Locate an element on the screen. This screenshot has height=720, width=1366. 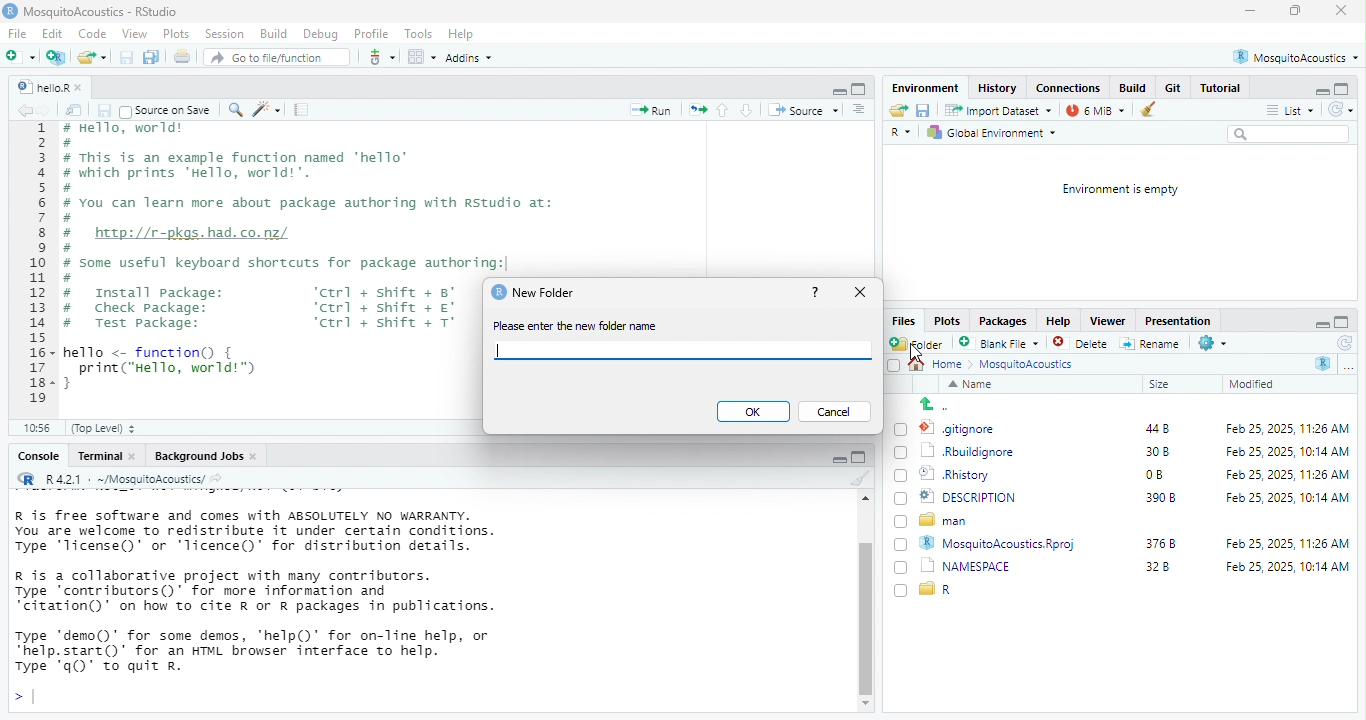
448 is located at coordinates (1151, 428).